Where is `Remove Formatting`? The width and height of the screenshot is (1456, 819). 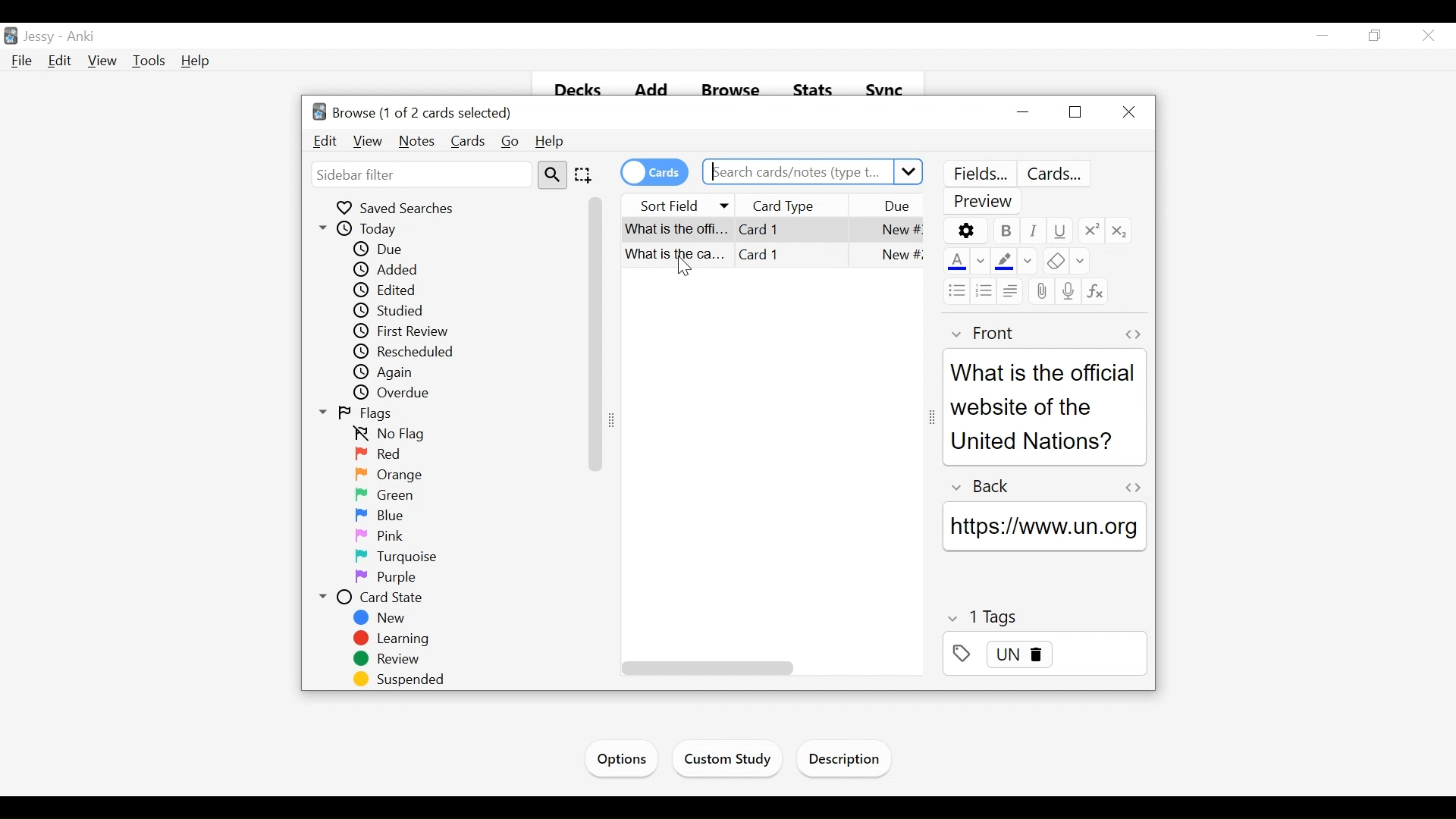
Remove Formatting is located at coordinates (1053, 262).